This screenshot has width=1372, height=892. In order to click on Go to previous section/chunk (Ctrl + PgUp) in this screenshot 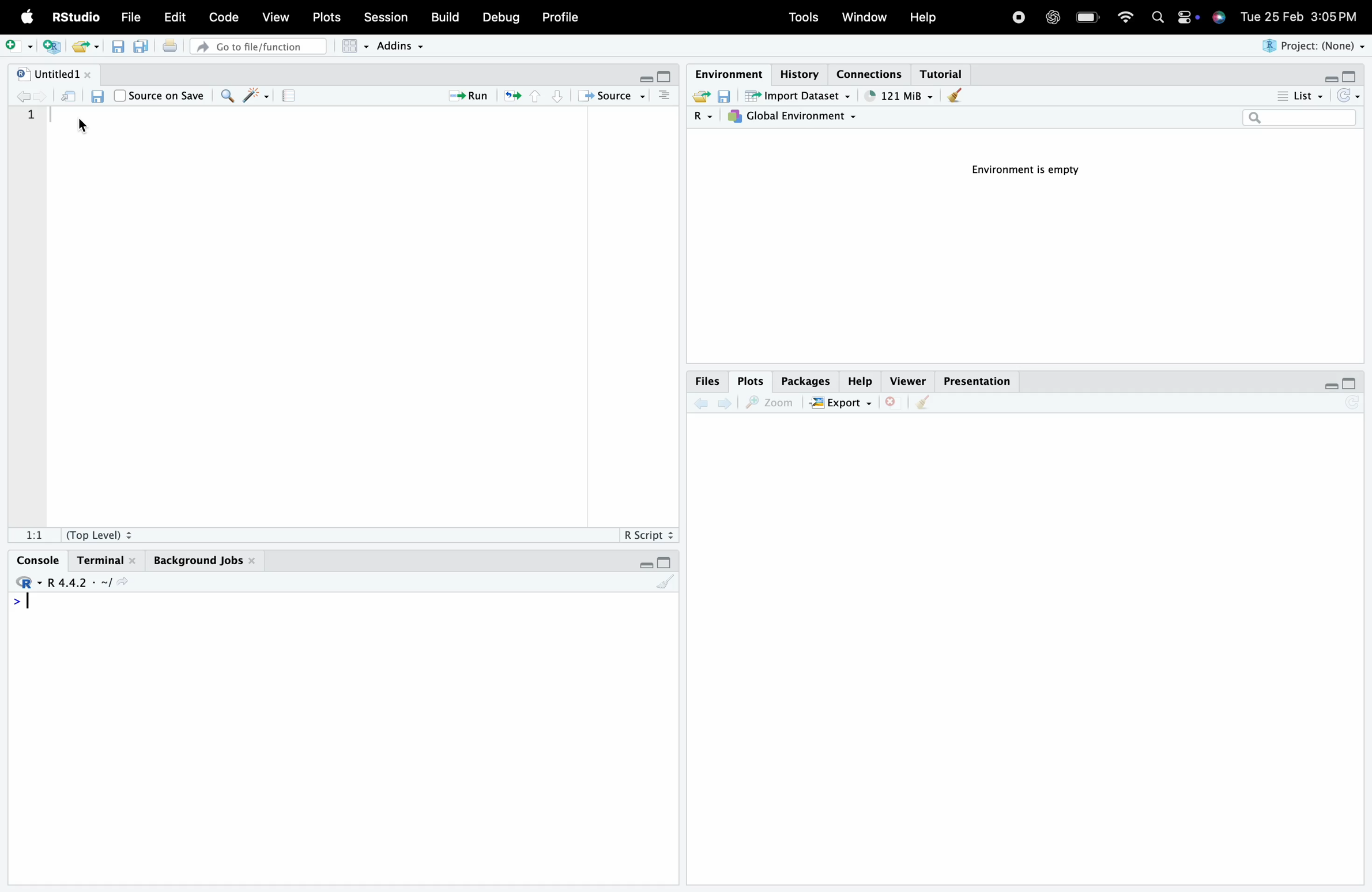, I will do `click(536, 97)`.